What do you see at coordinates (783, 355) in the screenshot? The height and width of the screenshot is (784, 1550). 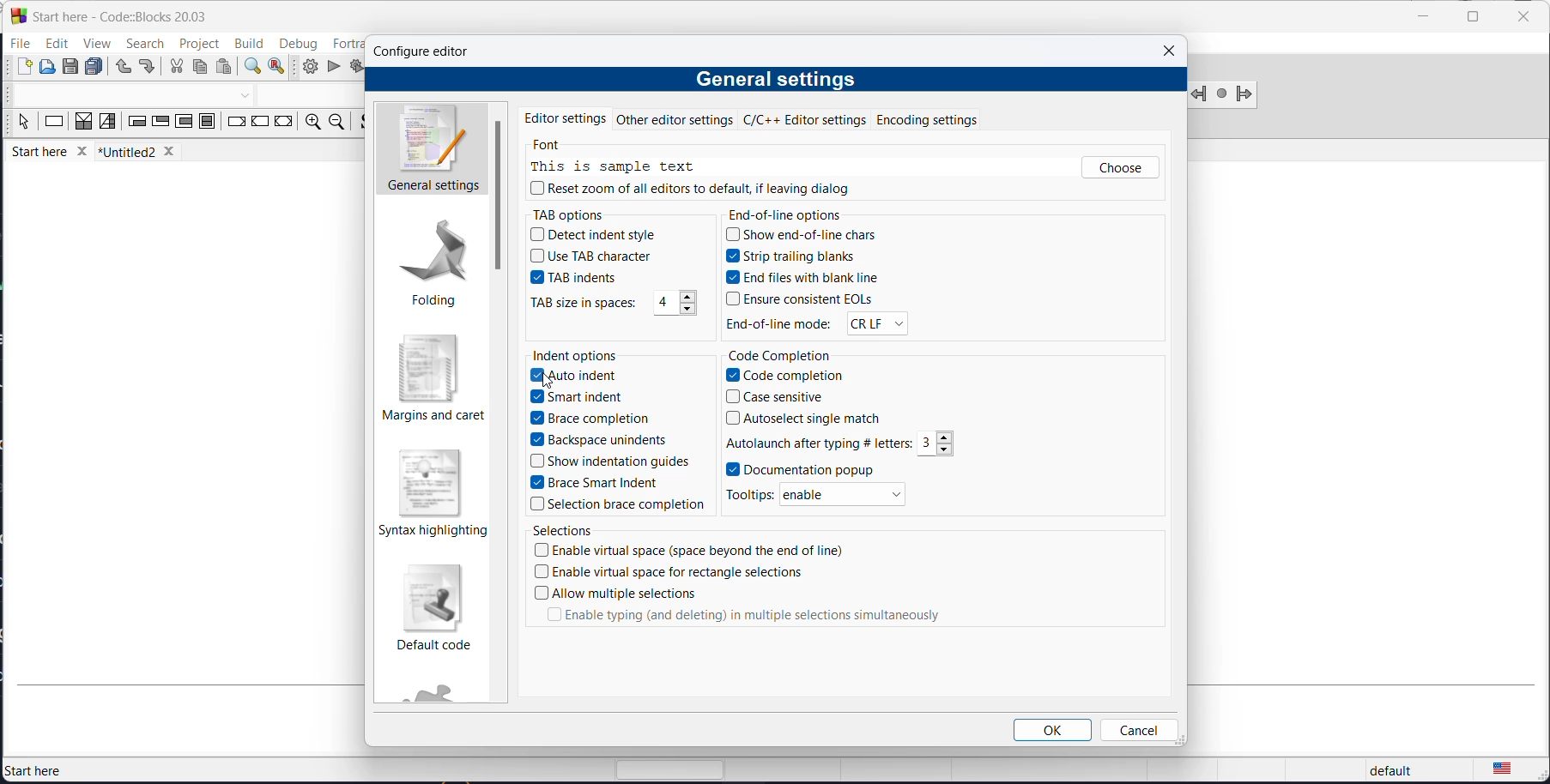 I see `code completion` at bounding box center [783, 355].